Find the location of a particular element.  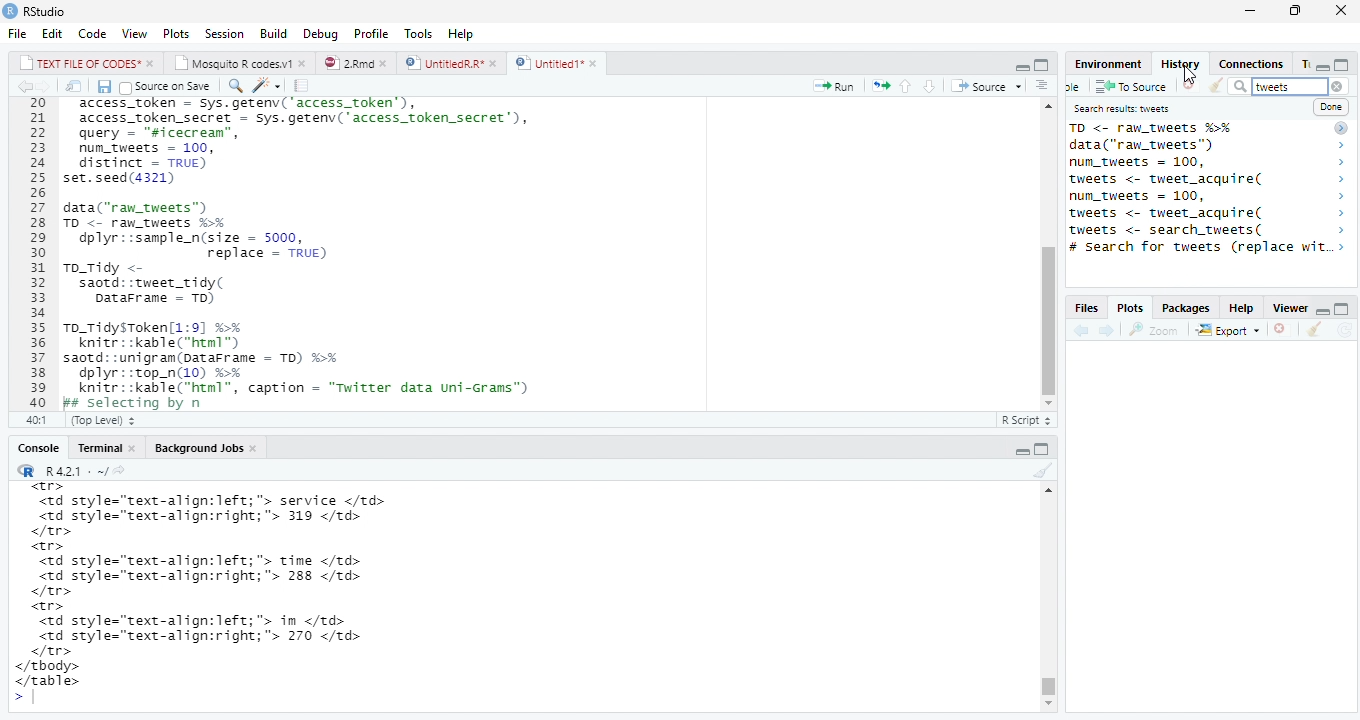

Done is located at coordinates (1326, 105).